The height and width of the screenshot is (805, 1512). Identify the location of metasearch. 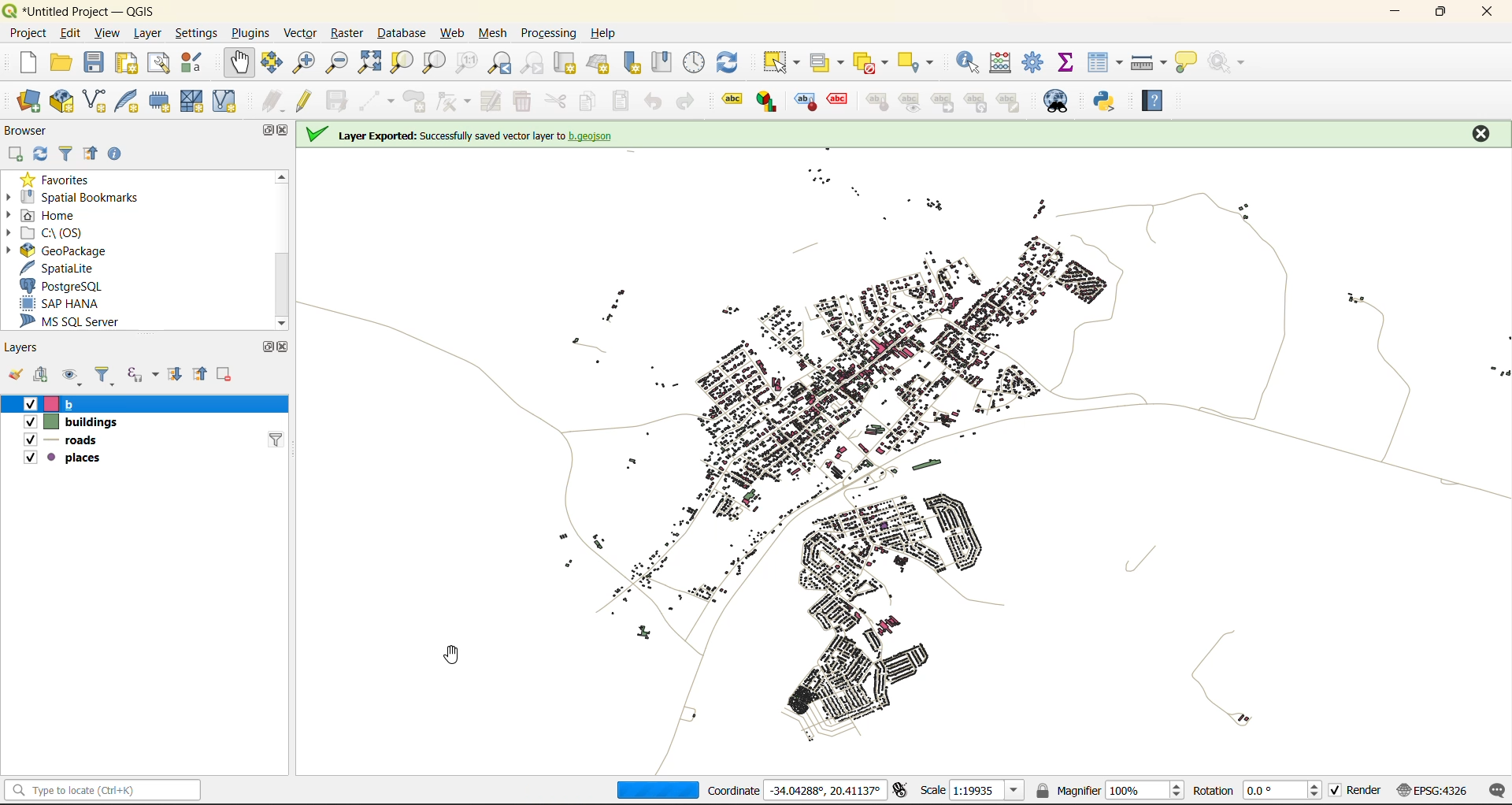
(1064, 102).